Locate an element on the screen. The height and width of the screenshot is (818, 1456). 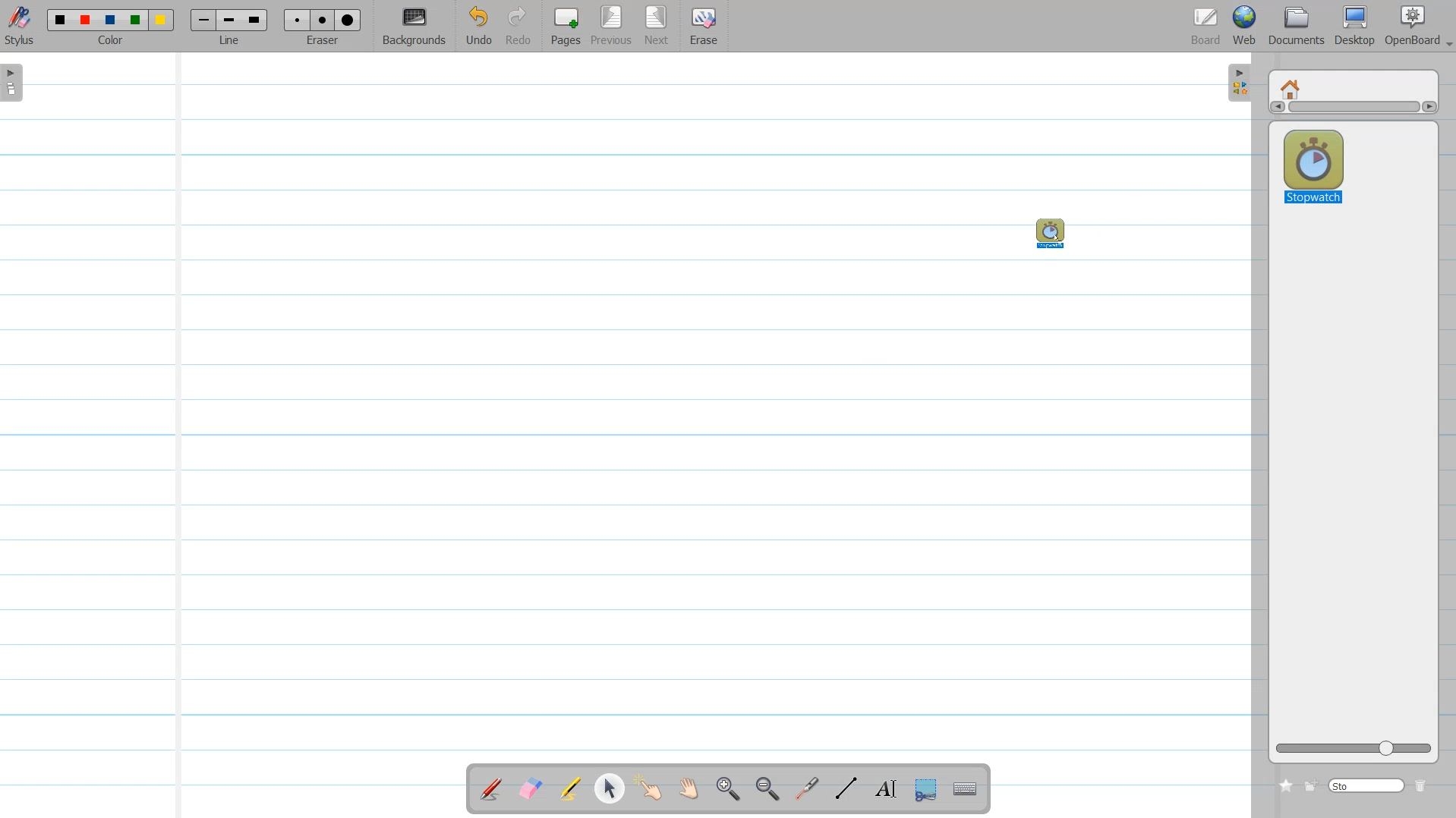
Vertical scroll bar is located at coordinates (1353, 109).